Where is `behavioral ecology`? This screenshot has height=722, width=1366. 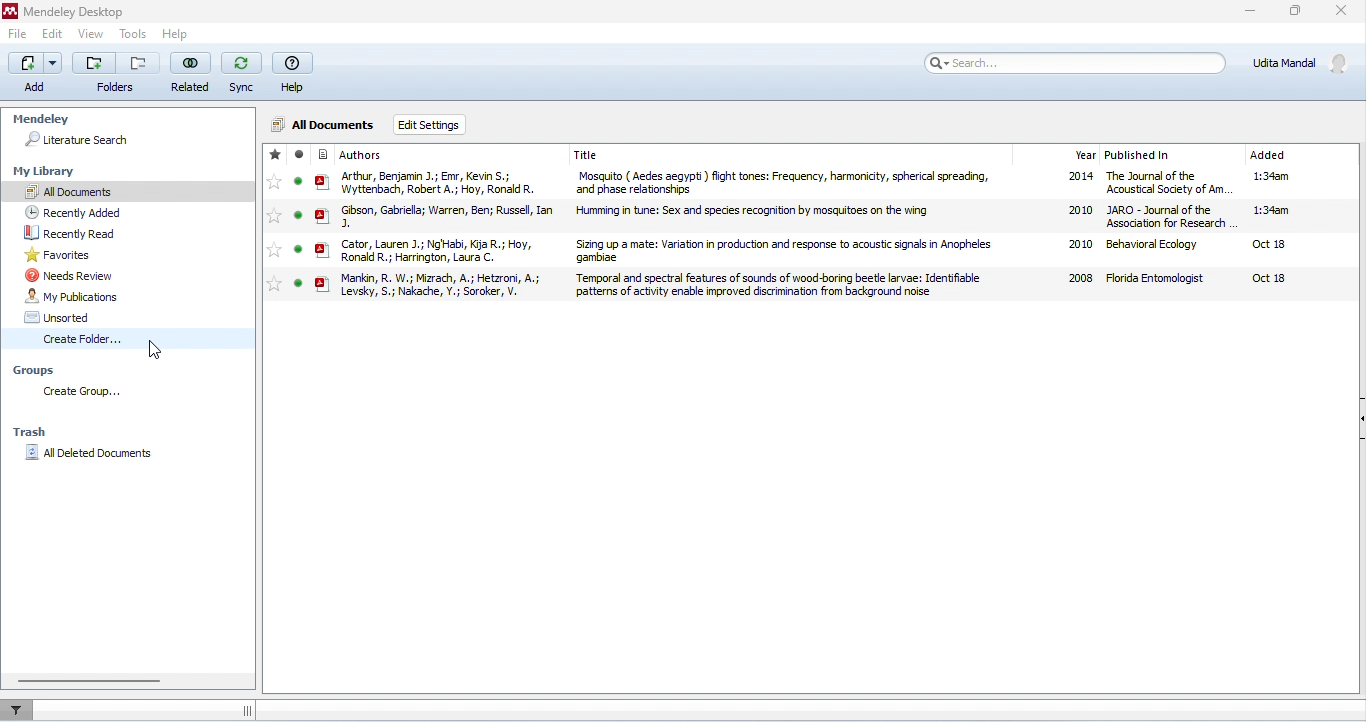 behavioral ecology is located at coordinates (1156, 247).